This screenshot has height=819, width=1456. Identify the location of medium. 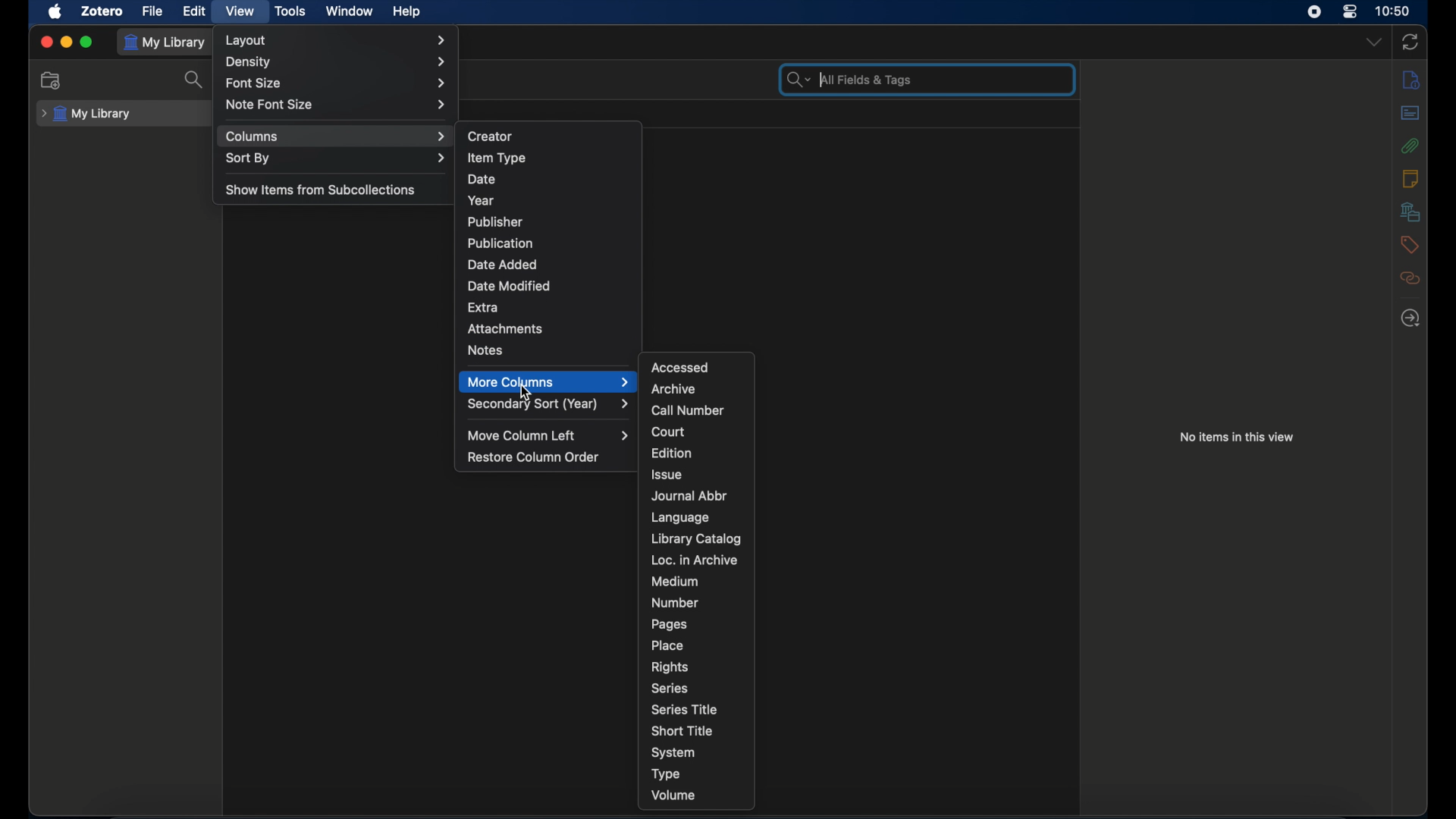
(674, 580).